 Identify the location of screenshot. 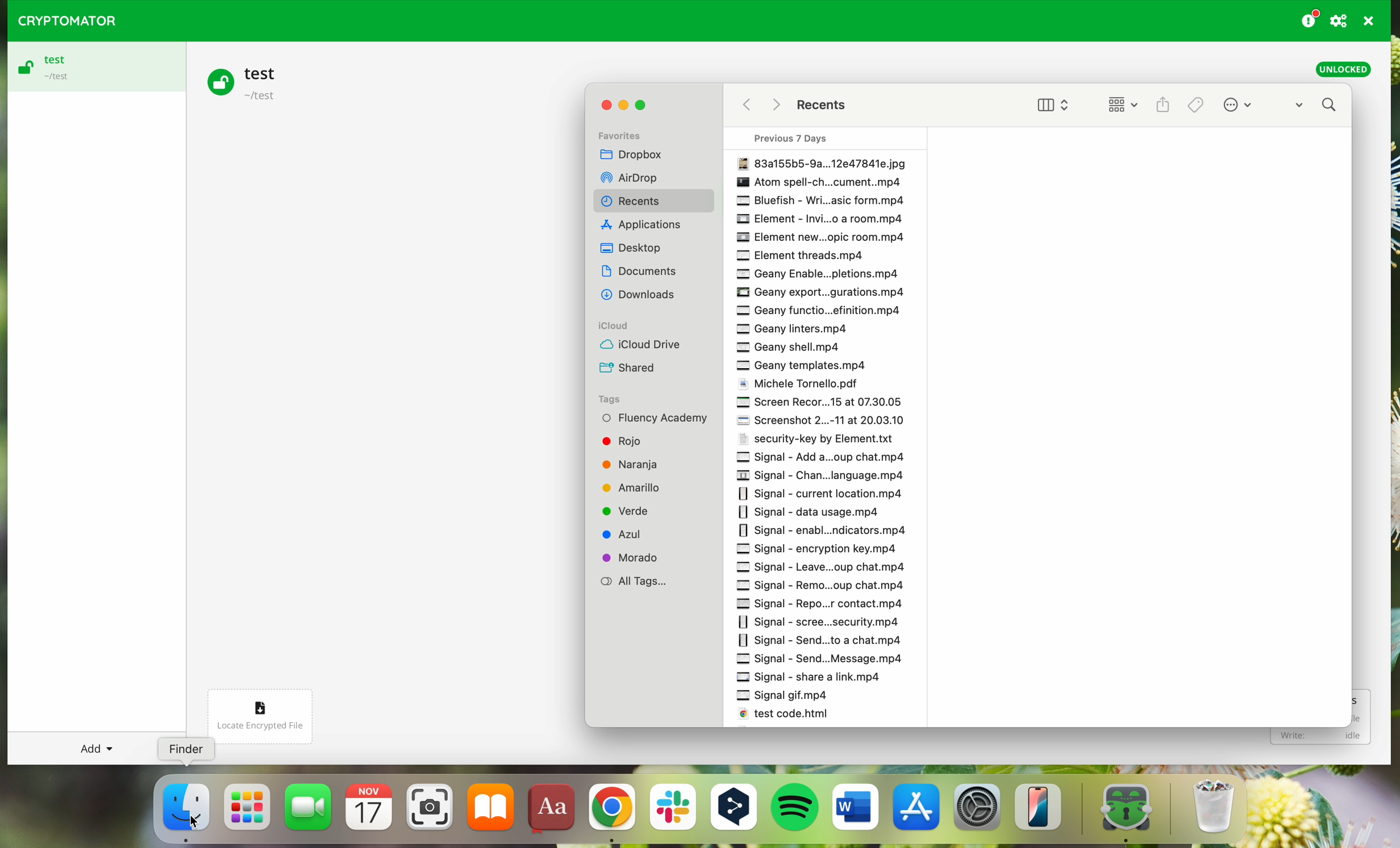
(430, 812).